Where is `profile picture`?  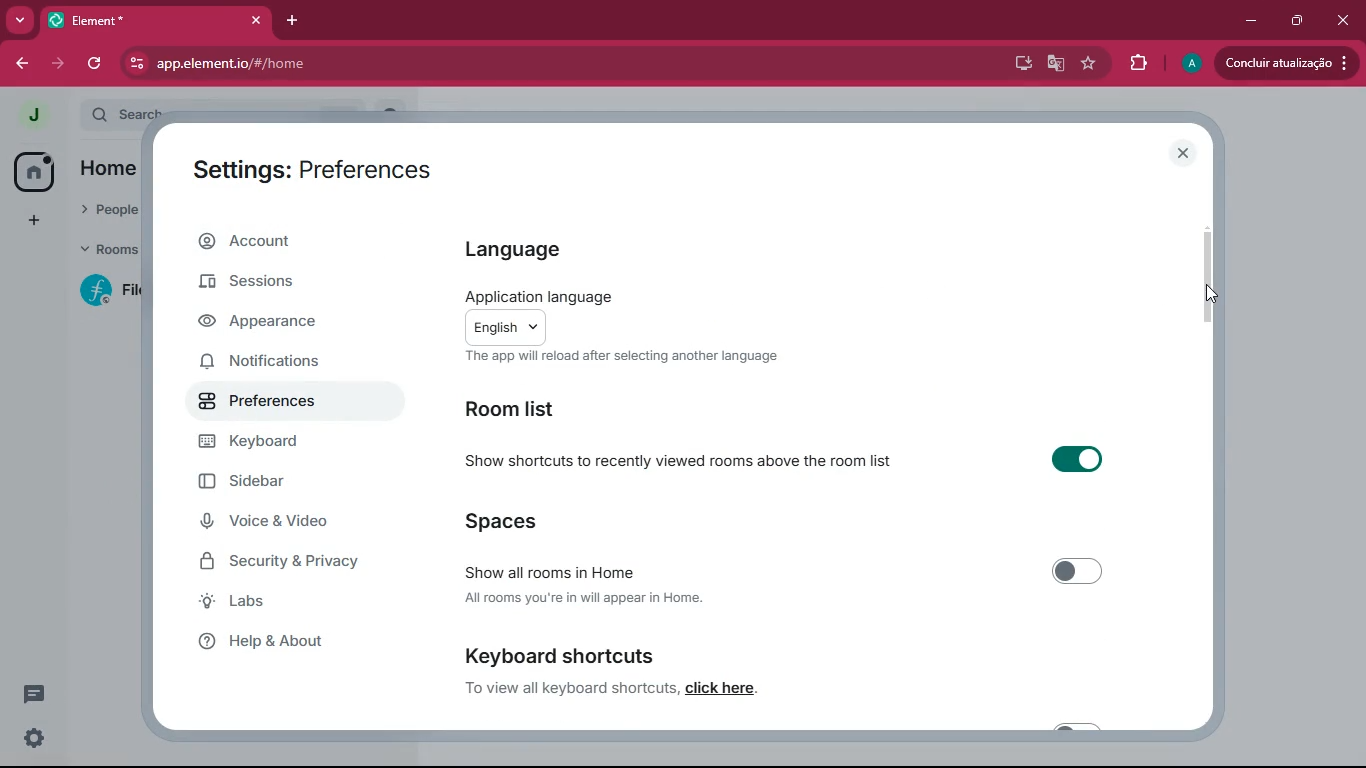
profile picture is located at coordinates (1190, 64).